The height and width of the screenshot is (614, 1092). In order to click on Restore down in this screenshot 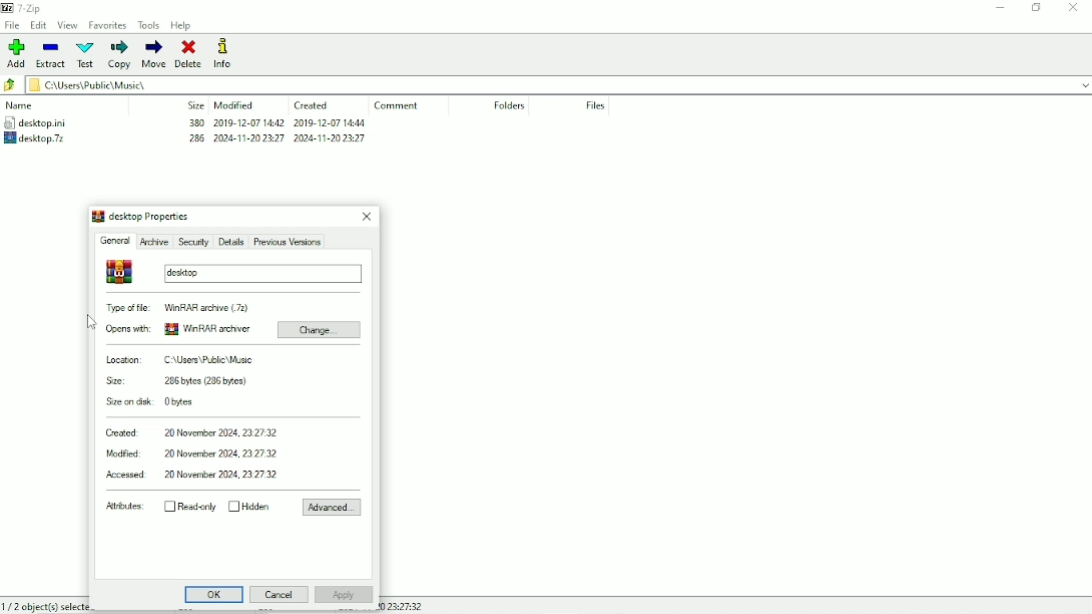, I will do `click(1035, 8)`.